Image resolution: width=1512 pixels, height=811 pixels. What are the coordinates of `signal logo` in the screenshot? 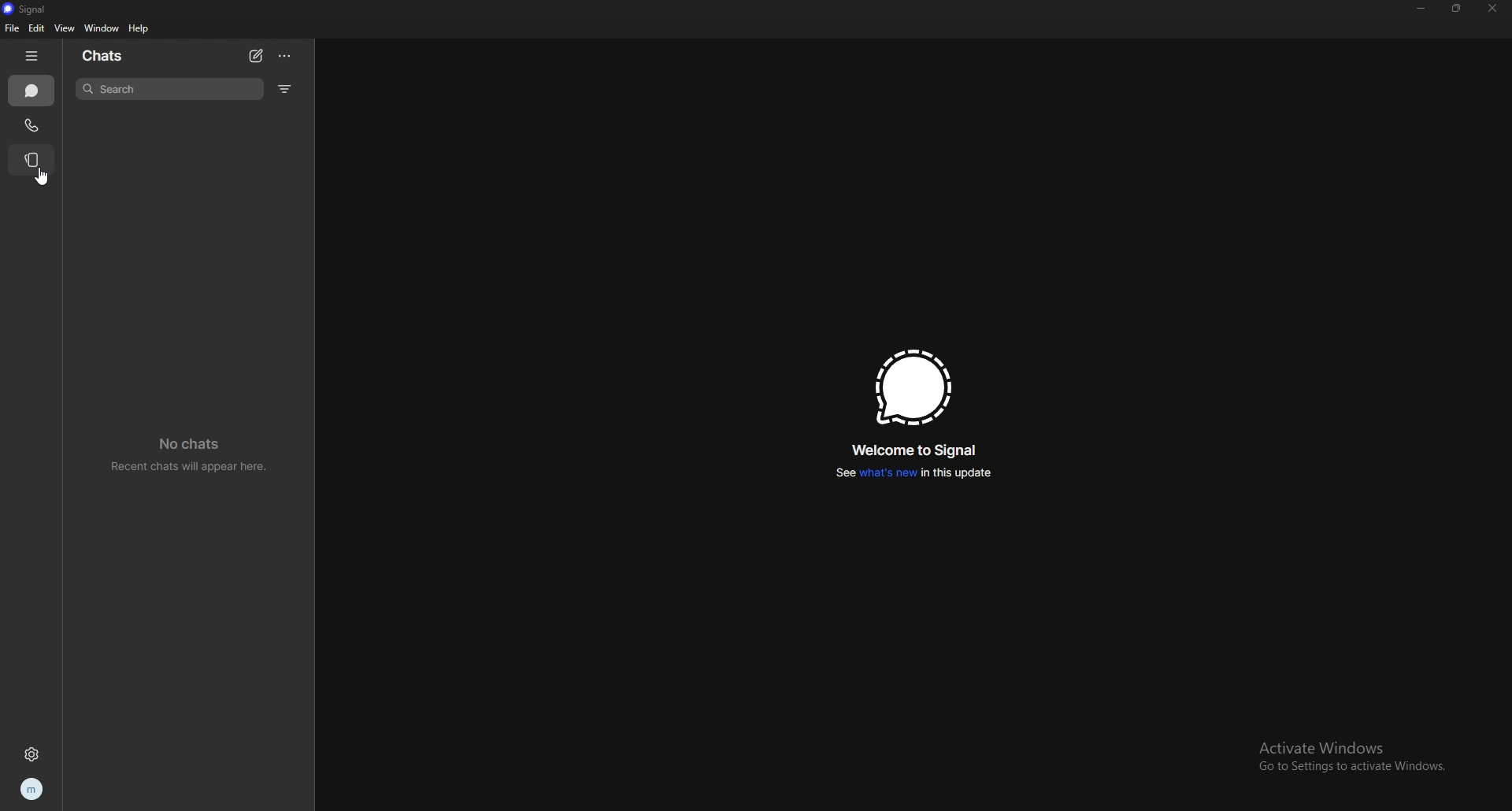 It's located at (910, 388).